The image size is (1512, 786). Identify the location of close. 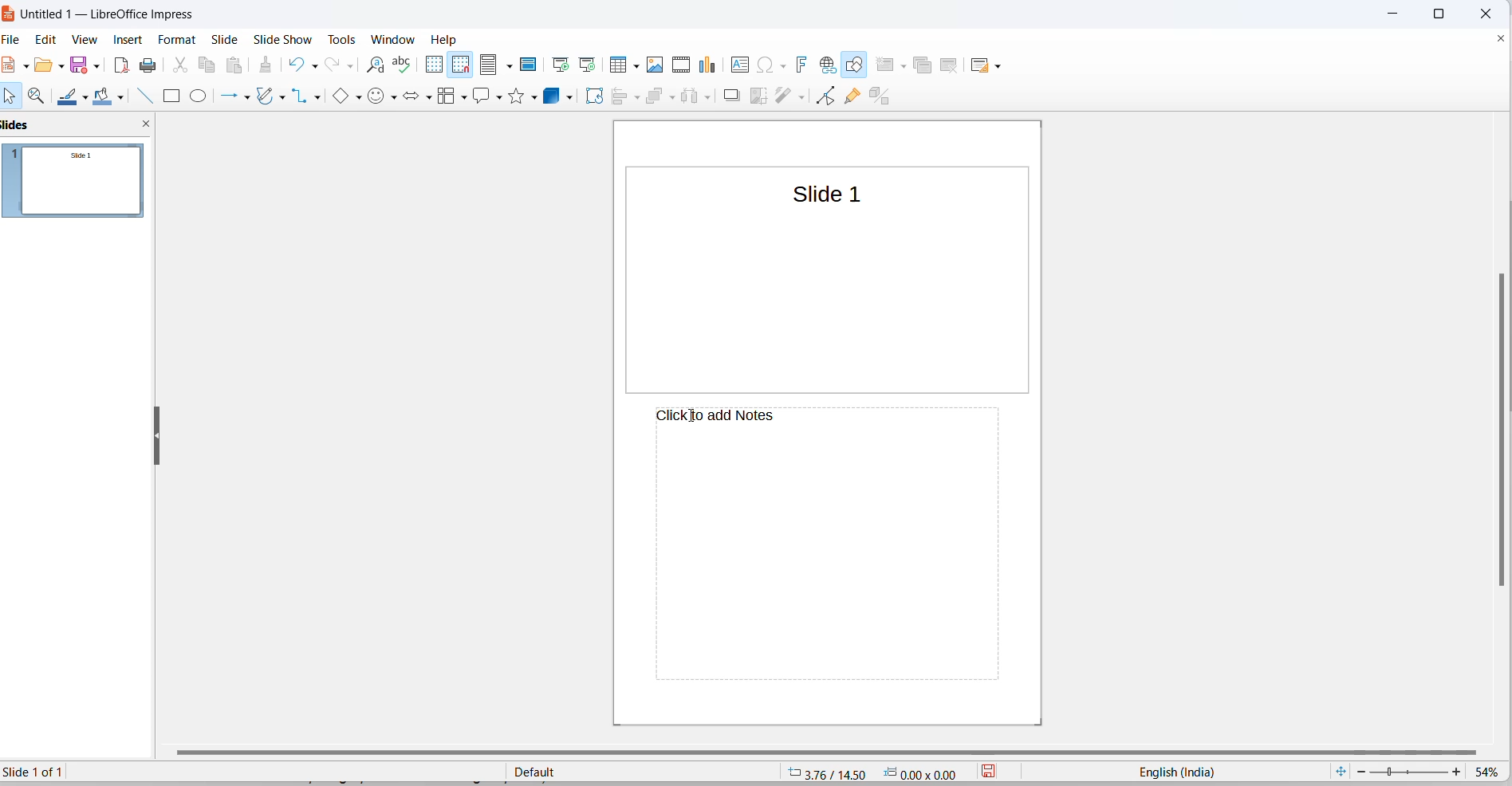
(1482, 12).